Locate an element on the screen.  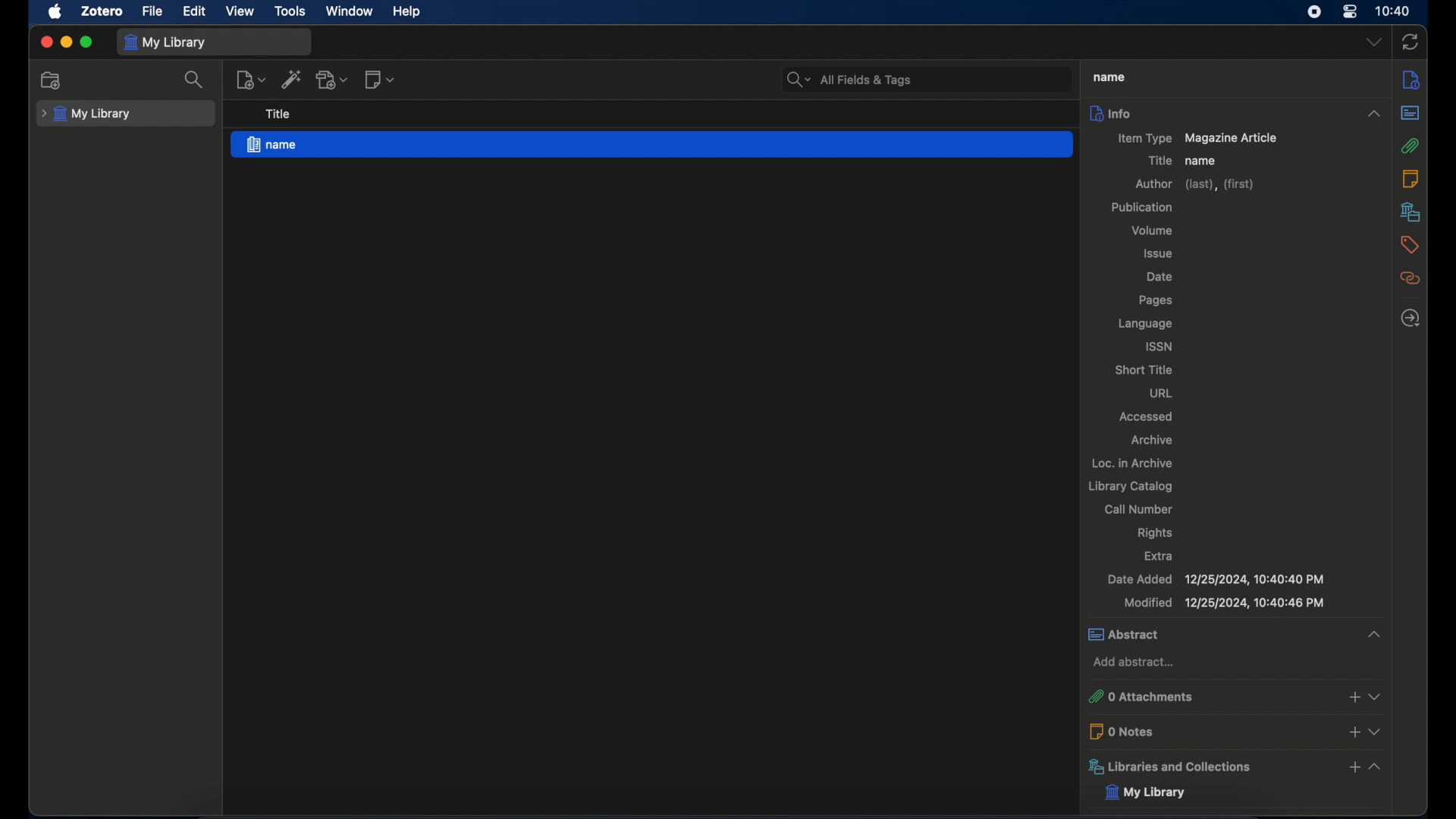
tags is located at coordinates (1410, 246).